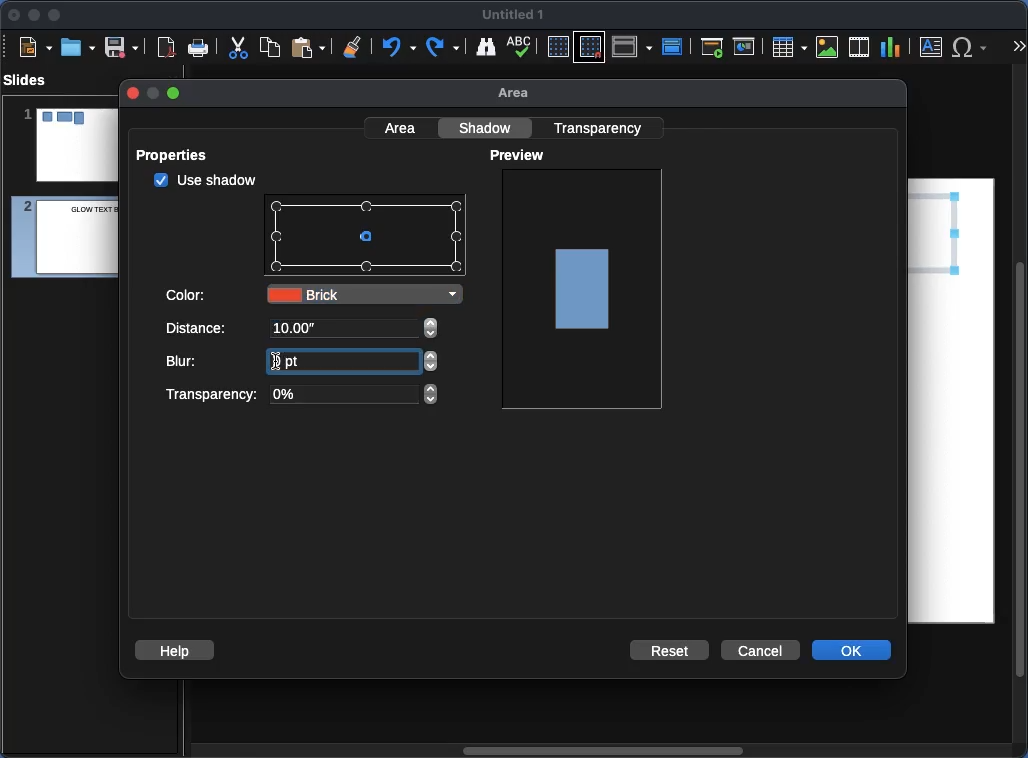  What do you see at coordinates (828, 47) in the screenshot?
I see `Image` at bounding box center [828, 47].